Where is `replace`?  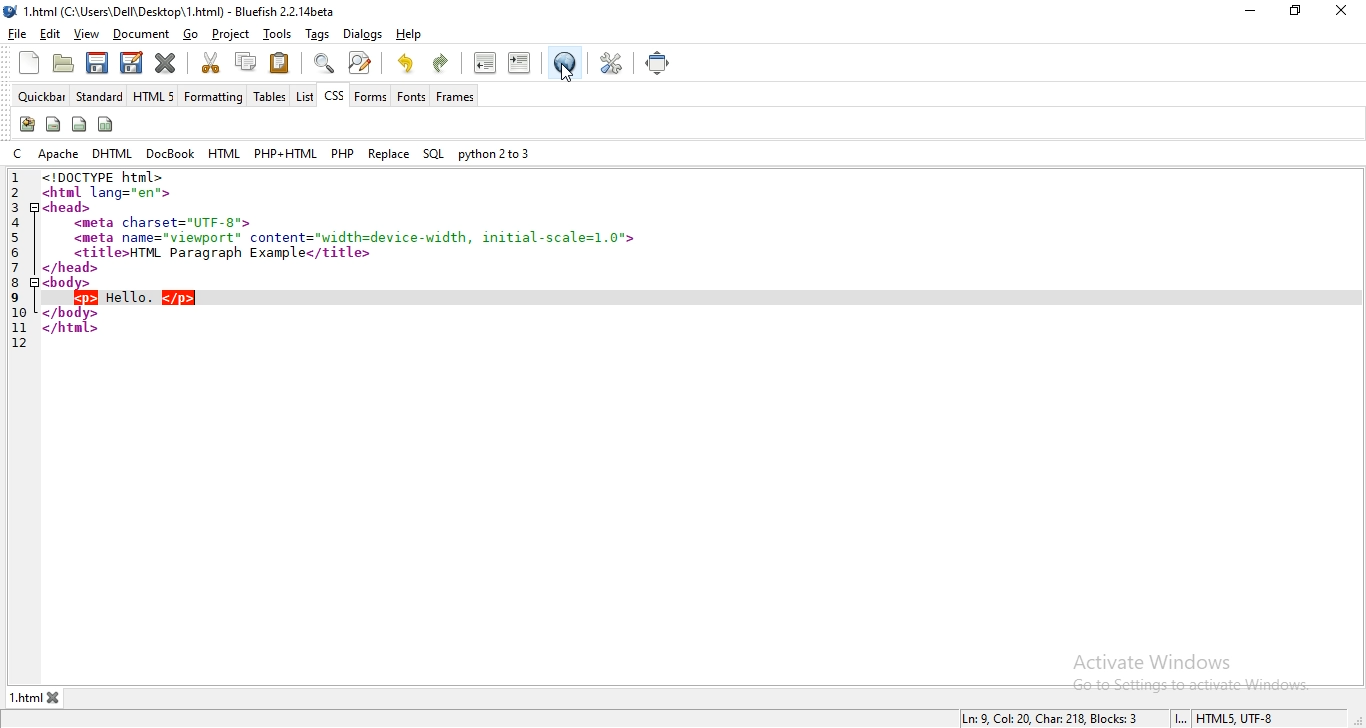
replace is located at coordinates (389, 153).